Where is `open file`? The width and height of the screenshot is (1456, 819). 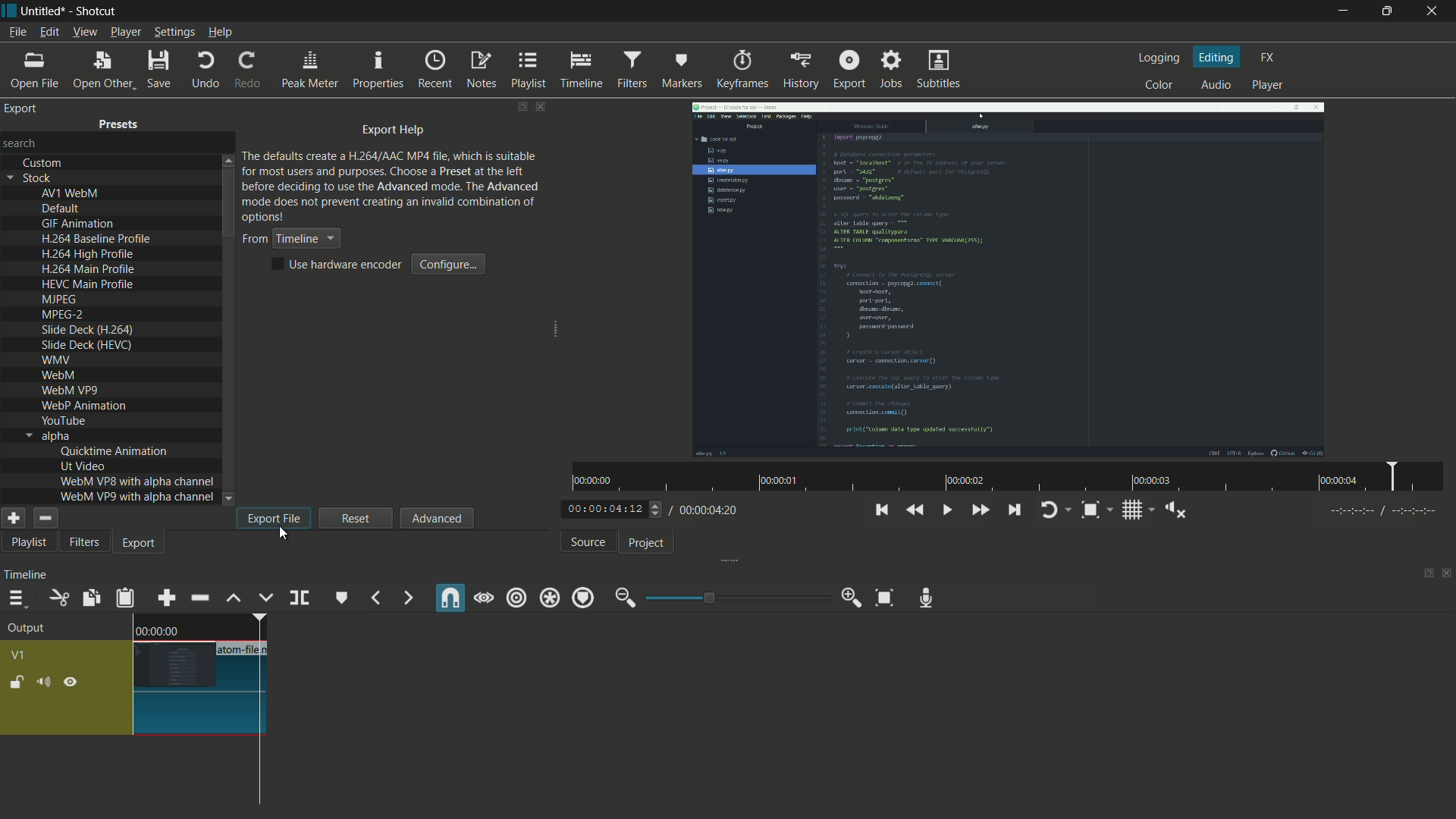 open file is located at coordinates (37, 68).